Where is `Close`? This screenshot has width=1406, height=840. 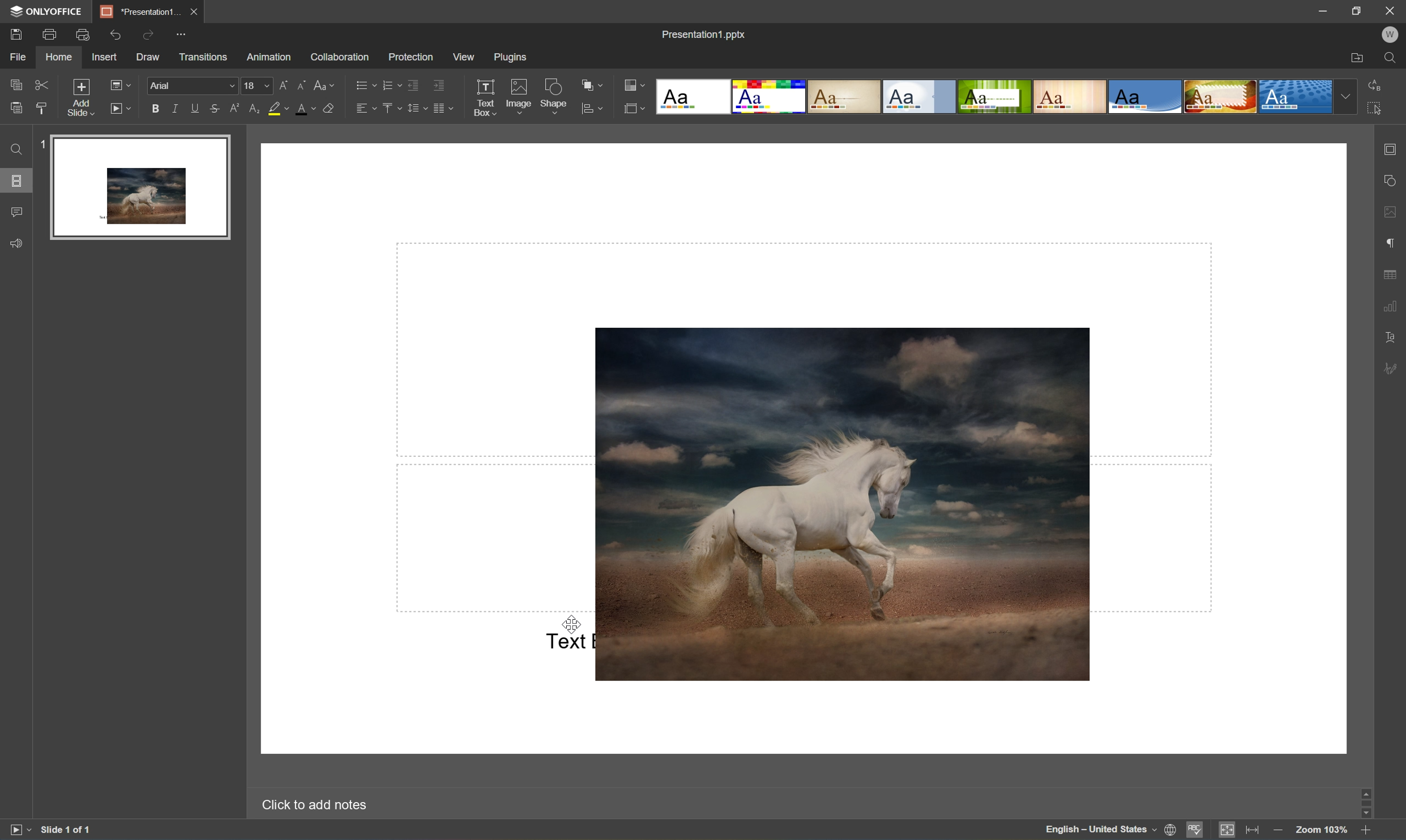
Close is located at coordinates (1390, 12).